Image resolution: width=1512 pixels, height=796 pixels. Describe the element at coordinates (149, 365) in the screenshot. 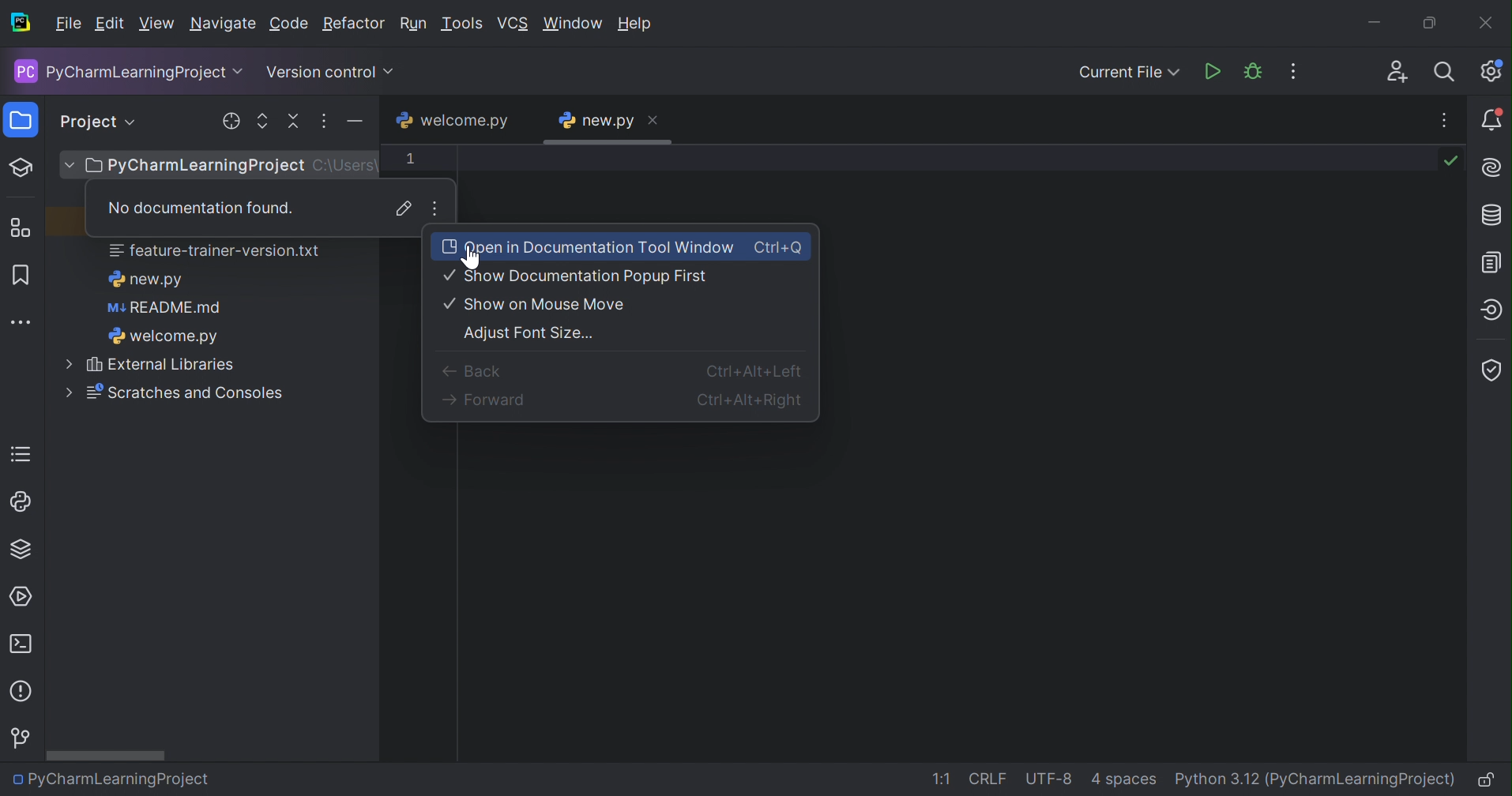

I see `External Libraries` at that location.